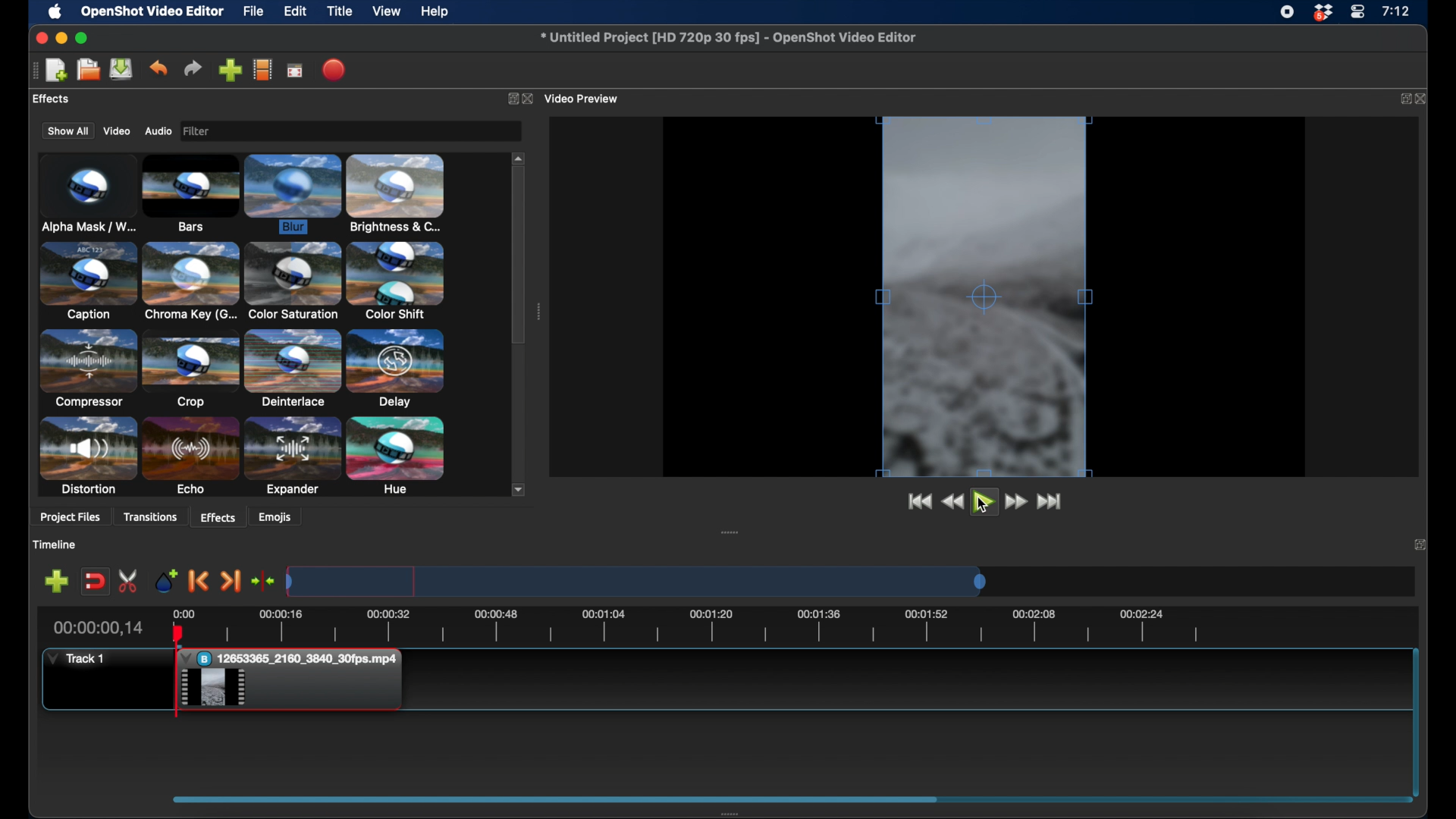  I want to click on redo, so click(193, 68).